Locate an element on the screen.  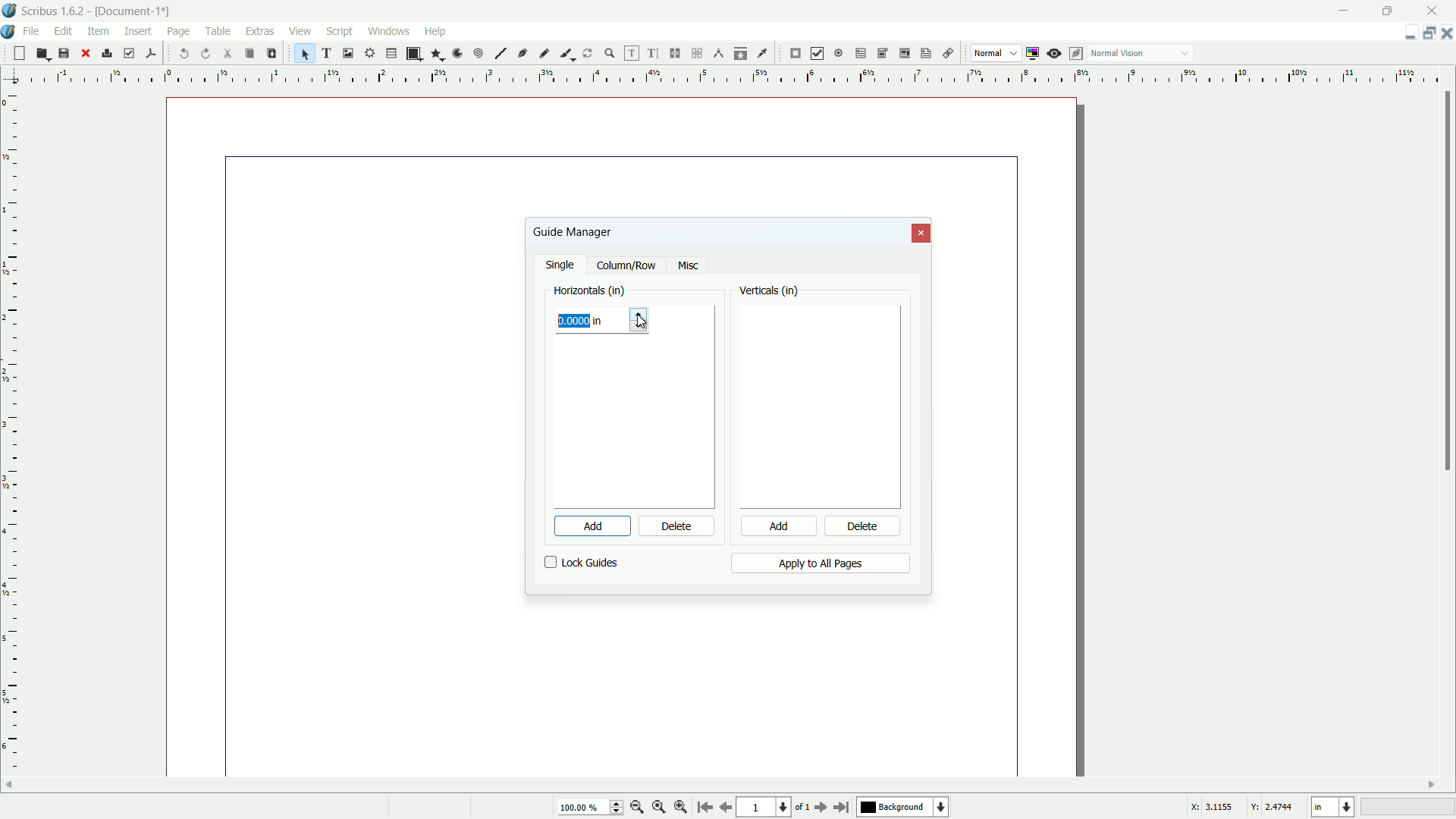
go to start page is located at coordinates (703, 808).